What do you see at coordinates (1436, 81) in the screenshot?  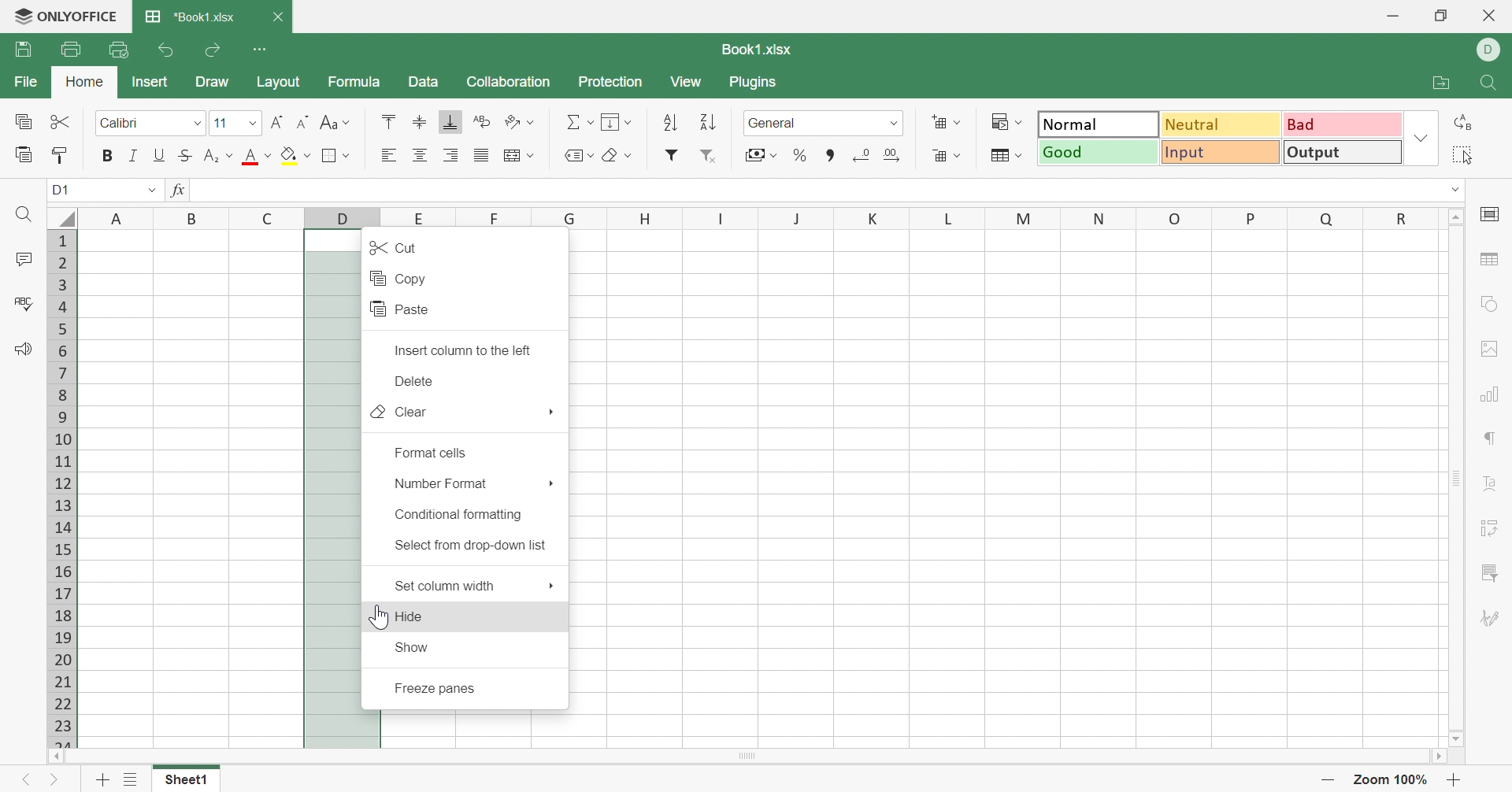 I see `Open file location` at bounding box center [1436, 81].